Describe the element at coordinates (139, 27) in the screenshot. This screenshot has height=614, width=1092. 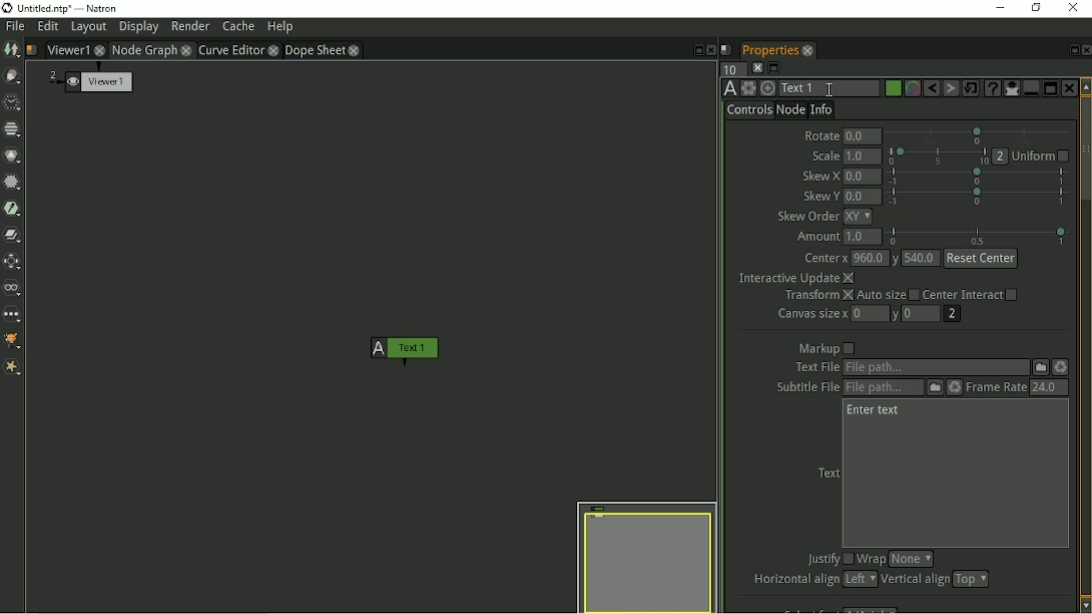
I see `Display` at that location.